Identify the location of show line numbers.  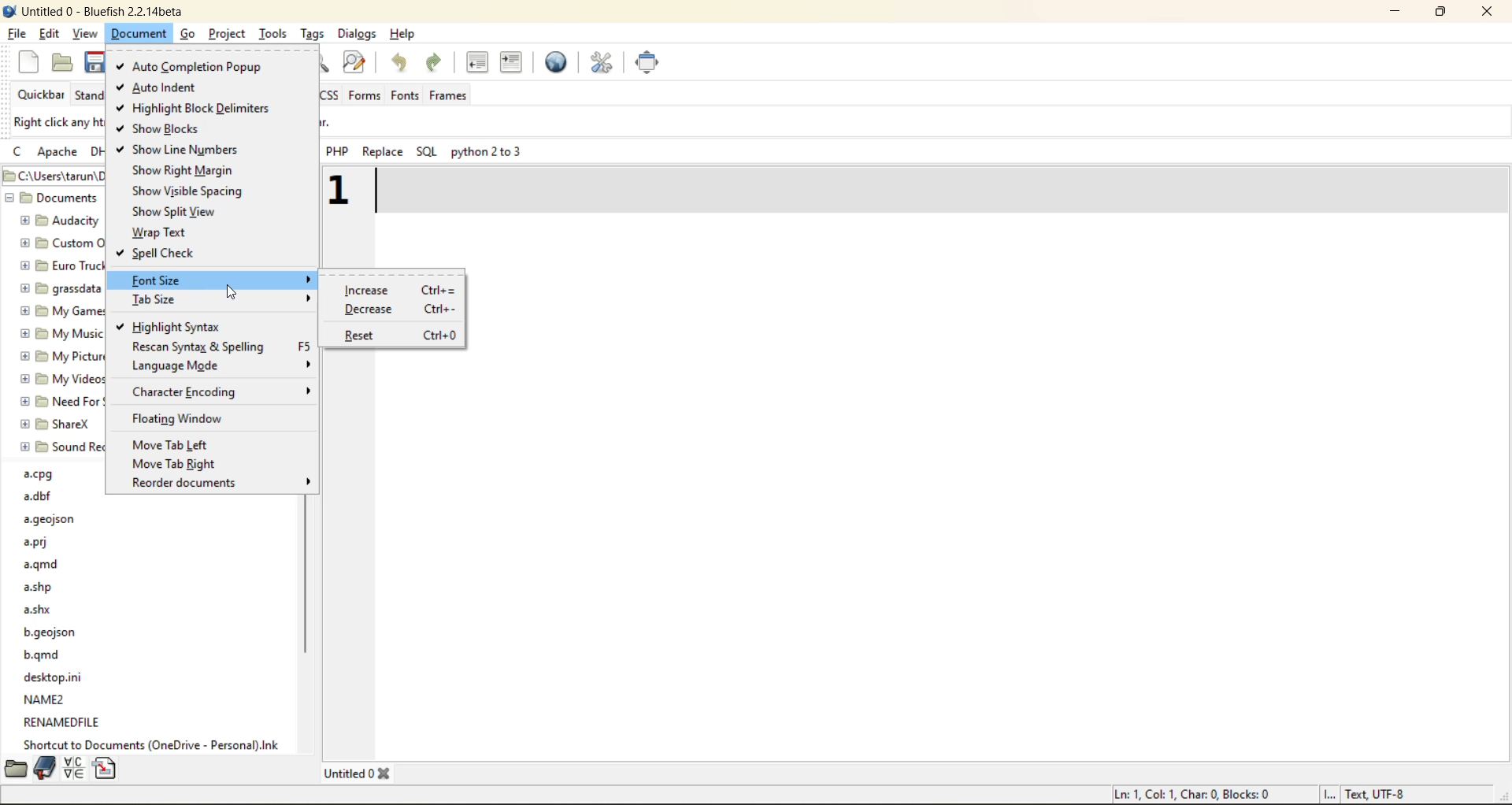
(190, 149).